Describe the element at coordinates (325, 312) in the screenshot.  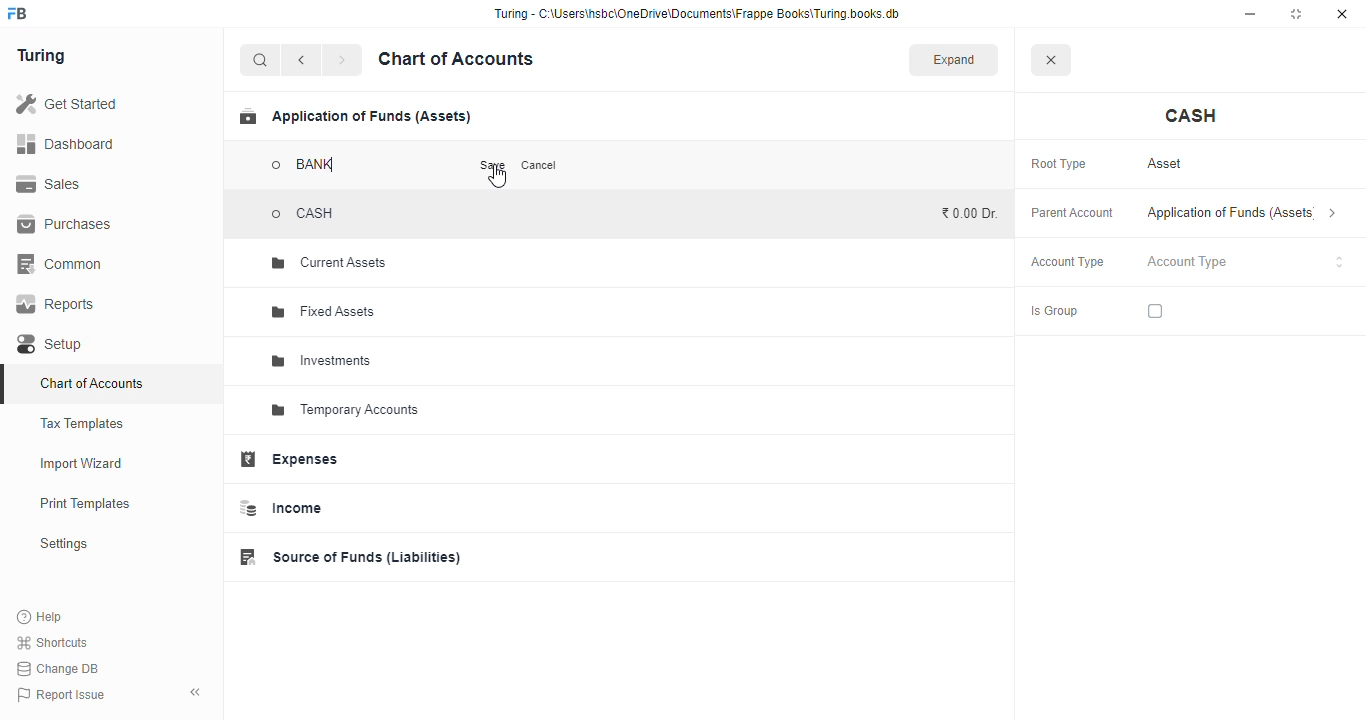
I see `fixed assets` at that location.